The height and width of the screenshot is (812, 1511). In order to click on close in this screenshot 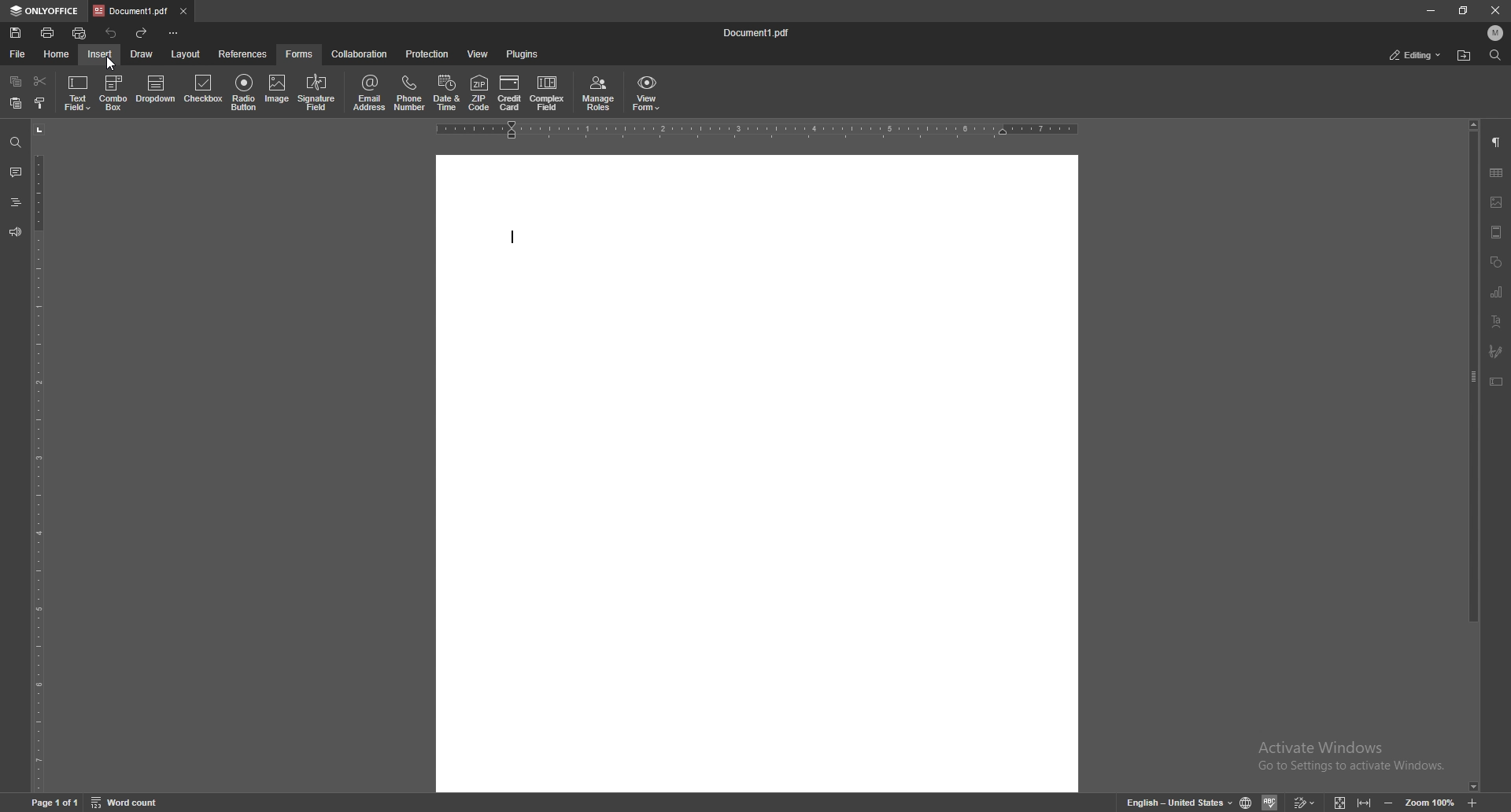, I will do `click(1494, 10)`.